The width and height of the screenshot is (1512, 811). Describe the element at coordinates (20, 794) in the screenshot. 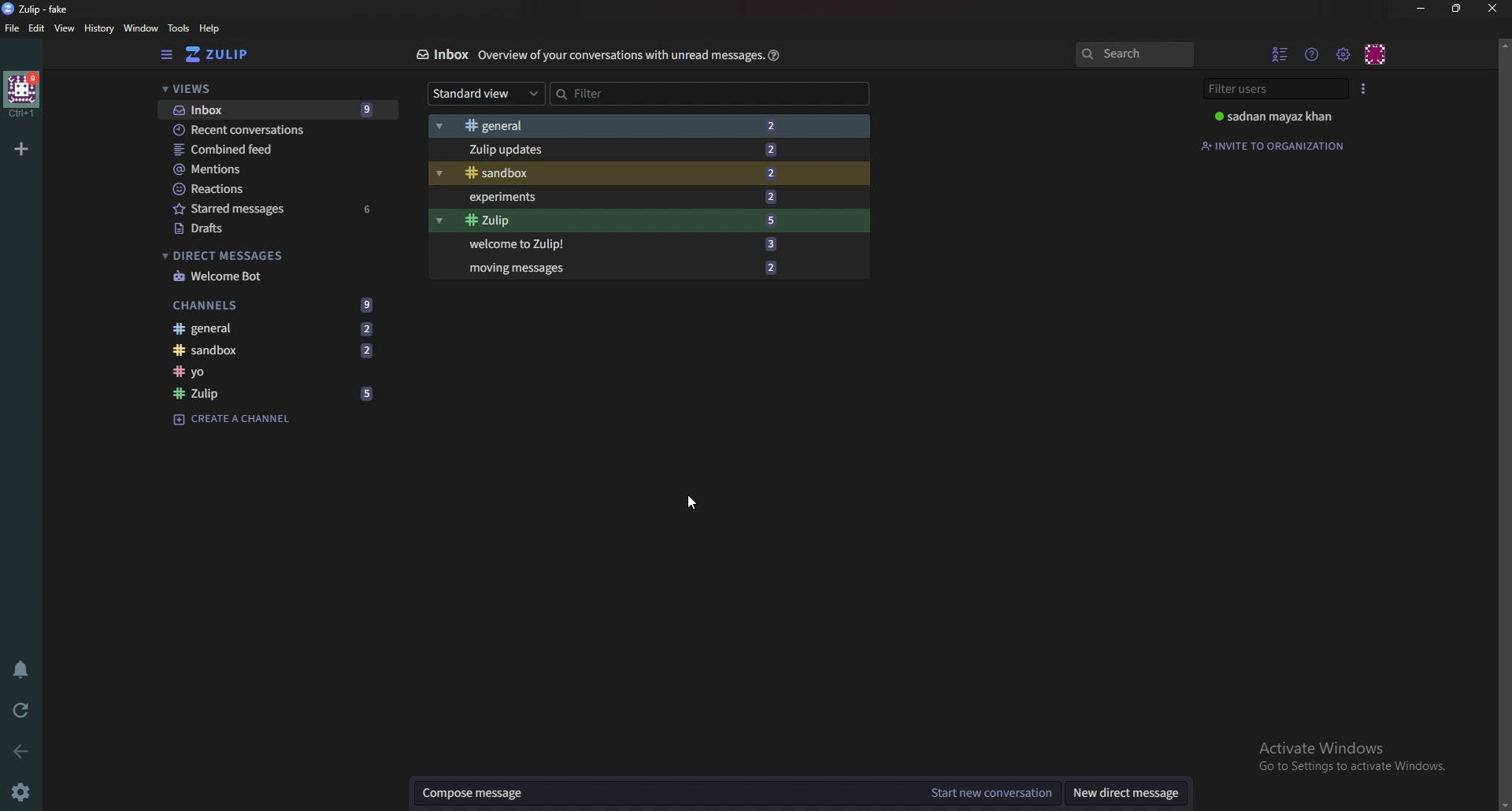

I see `Settings` at that location.